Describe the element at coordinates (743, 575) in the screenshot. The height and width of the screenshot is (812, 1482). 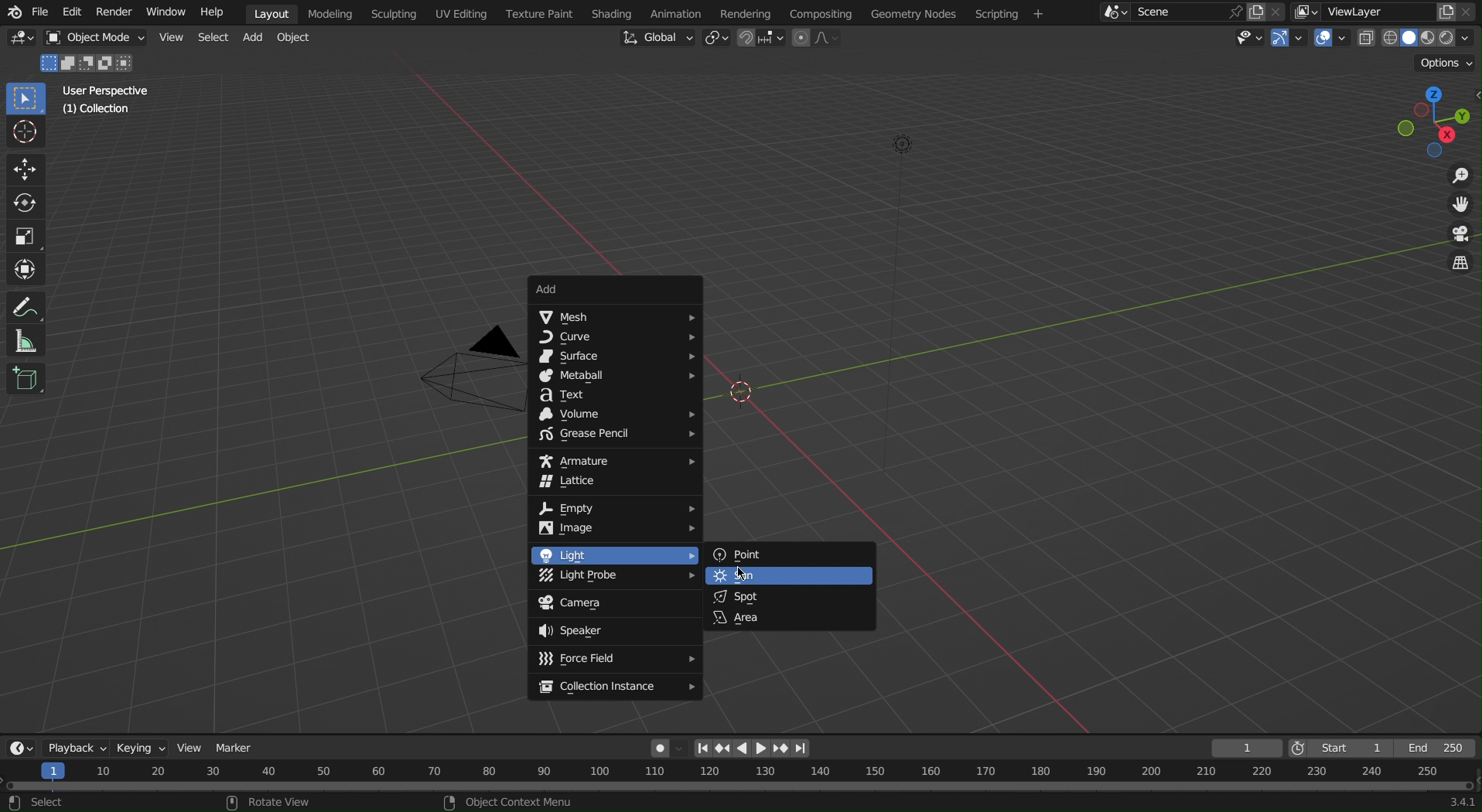
I see `Cursor` at that location.